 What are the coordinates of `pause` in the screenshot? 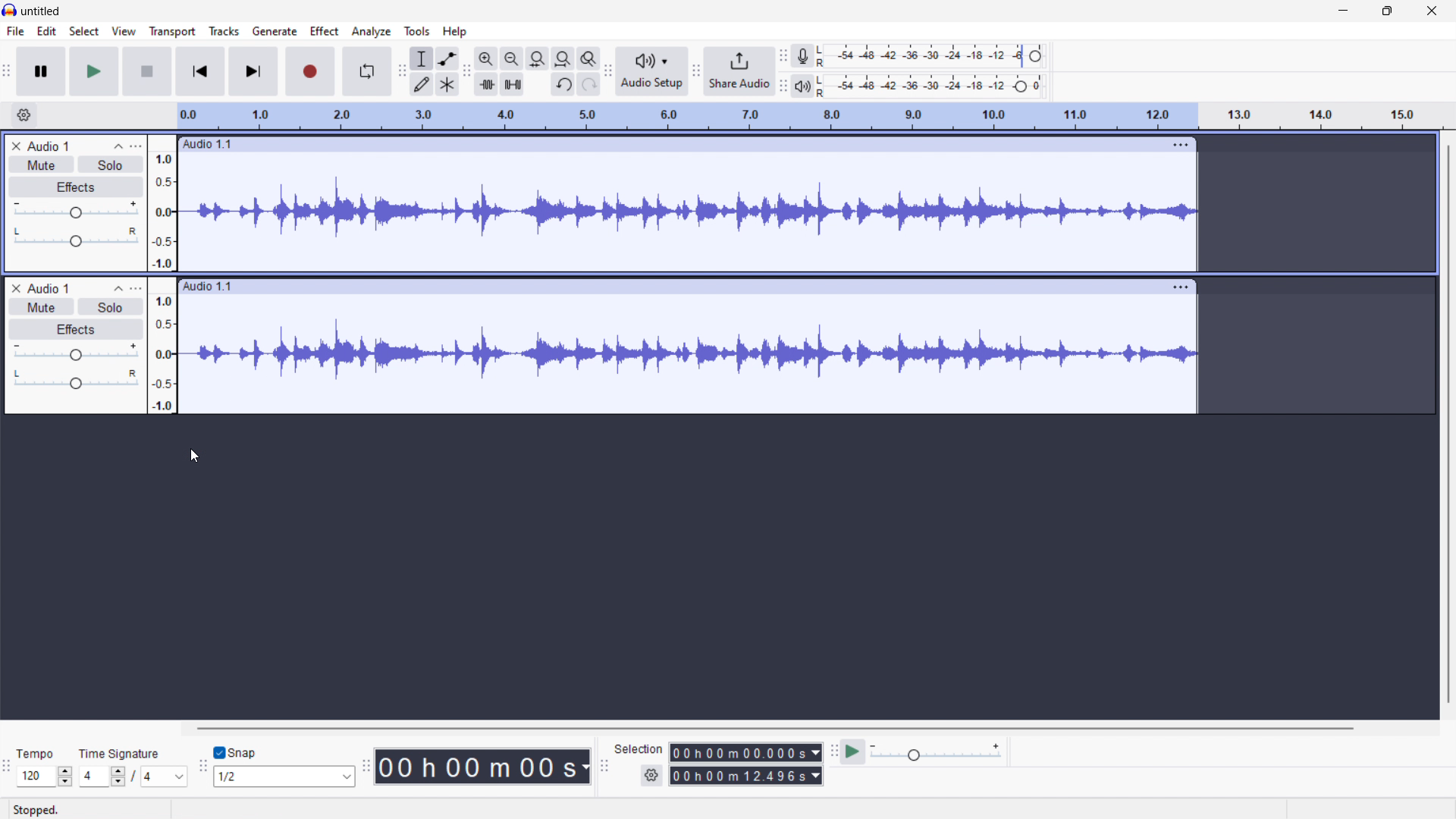 It's located at (41, 71).